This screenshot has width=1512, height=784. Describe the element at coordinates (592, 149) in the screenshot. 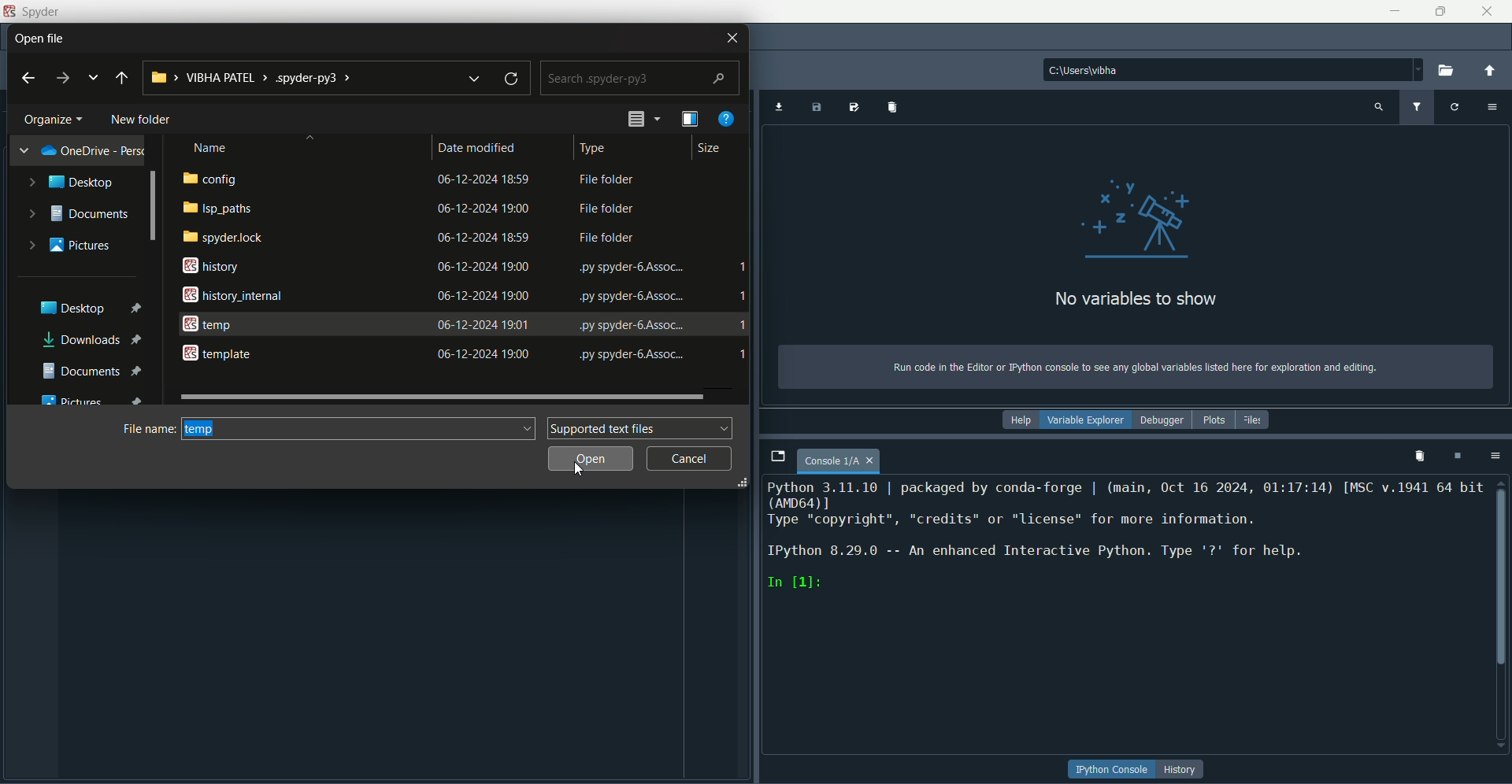

I see `type` at that location.